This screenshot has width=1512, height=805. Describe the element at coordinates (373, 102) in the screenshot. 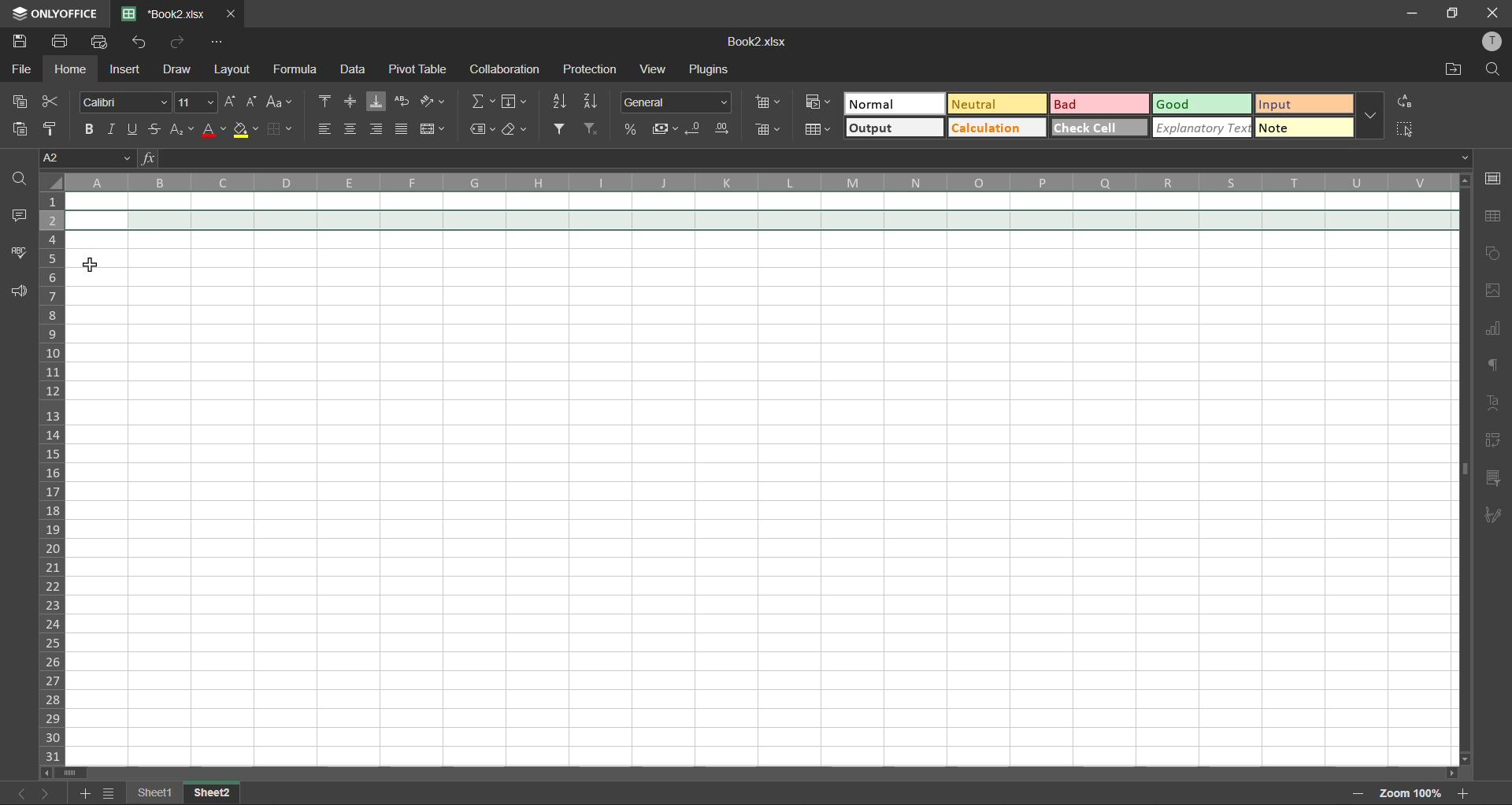

I see `align bottom` at that location.